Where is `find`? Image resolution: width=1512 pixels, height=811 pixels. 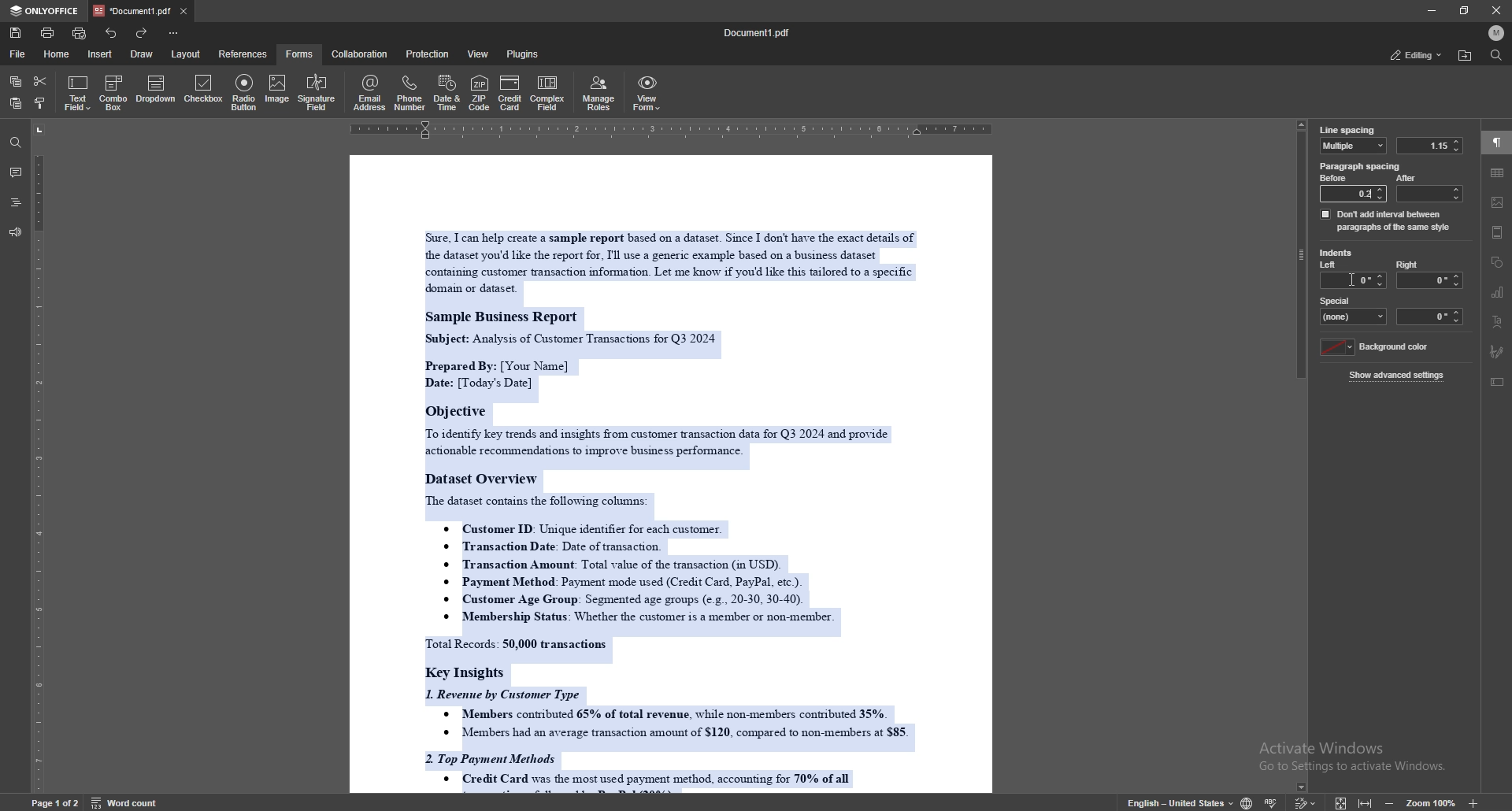 find is located at coordinates (1496, 55).